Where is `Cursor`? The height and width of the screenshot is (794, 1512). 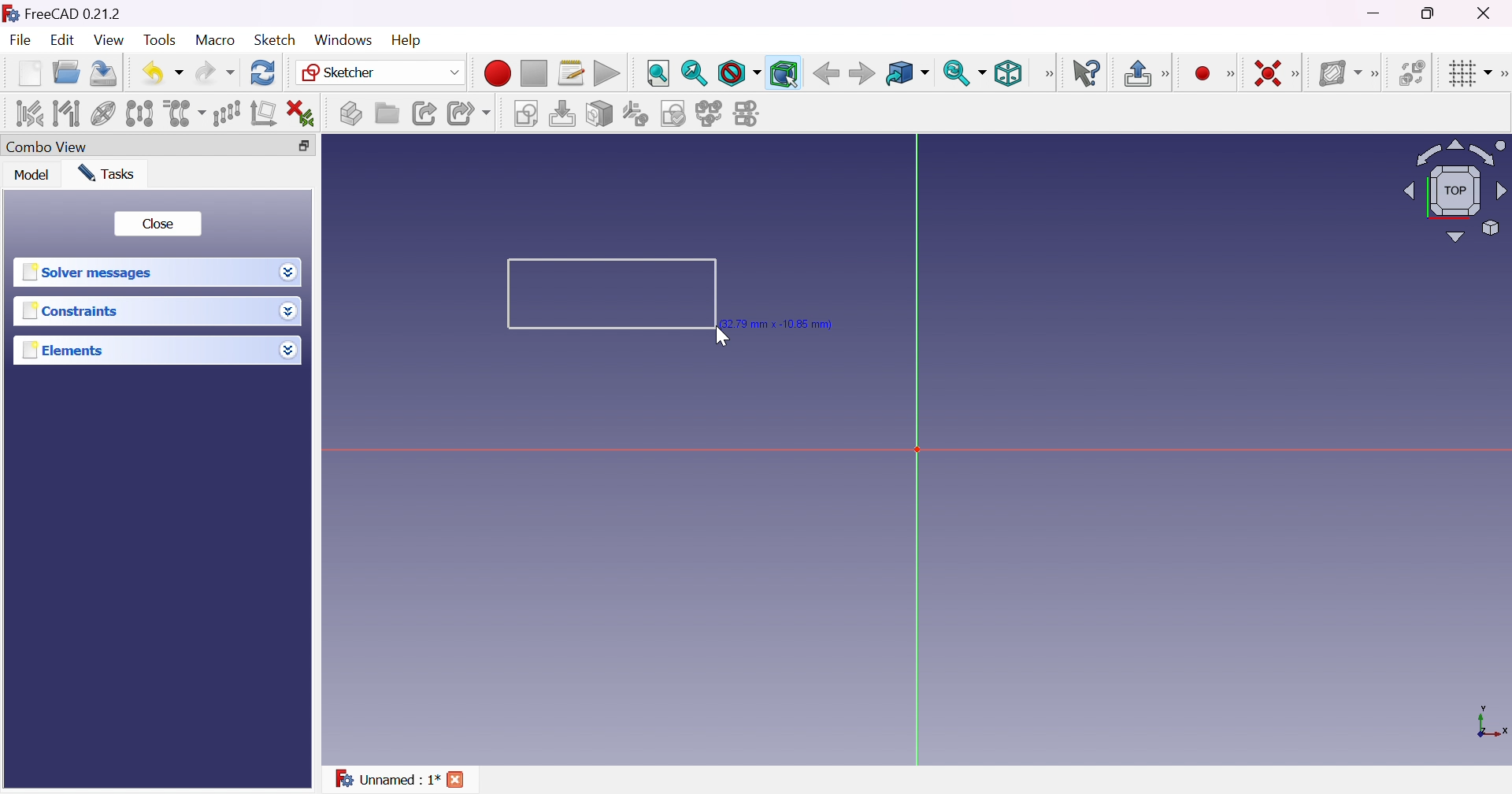 Cursor is located at coordinates (723, 336).